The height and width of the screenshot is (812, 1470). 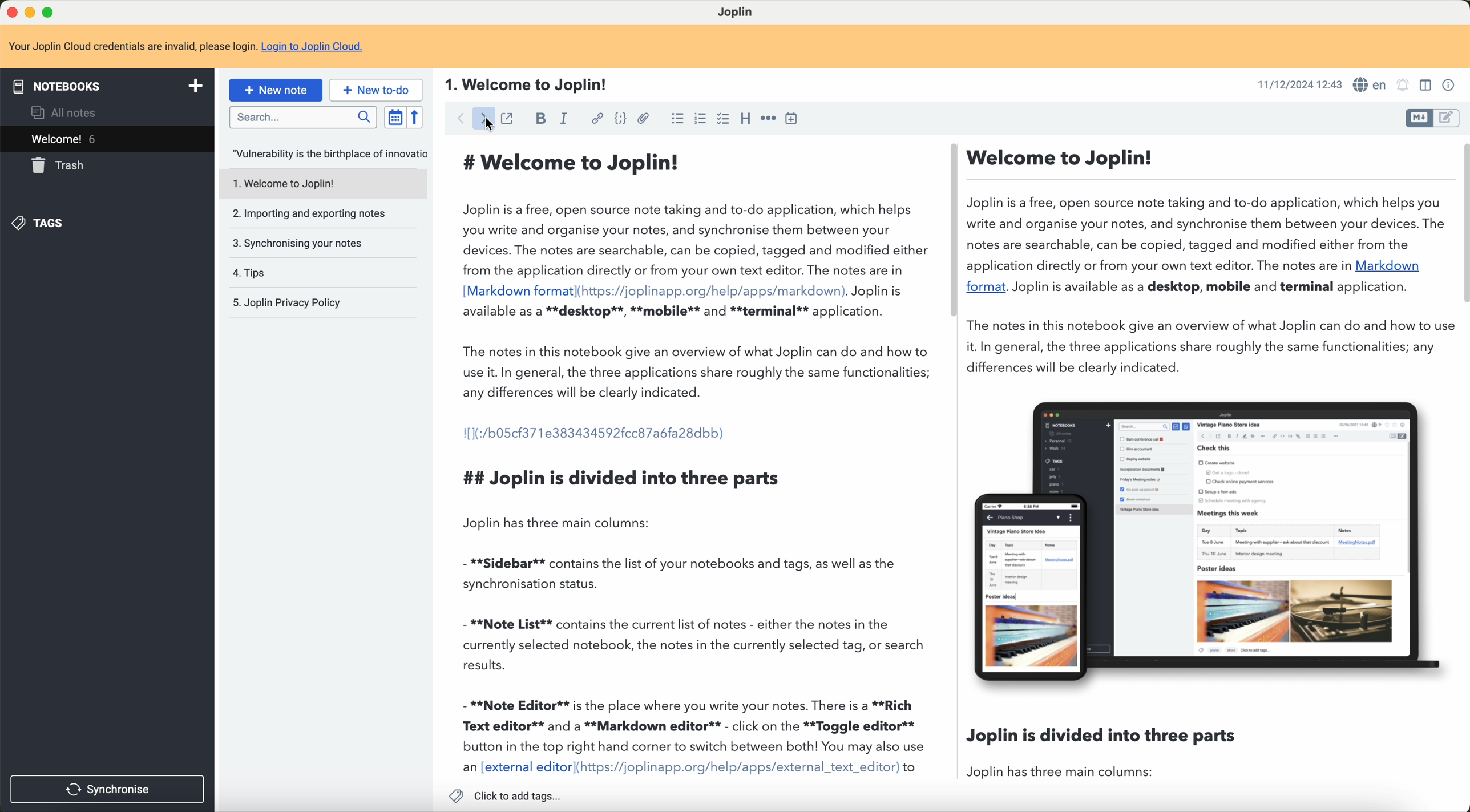 I want to click on The notes in this notebook give an overview of what Joplin can do and how to
use it. In general, the three applications share roughly the same functionalities;
any differences will be clearly indicated., so click(x=692, y=367).